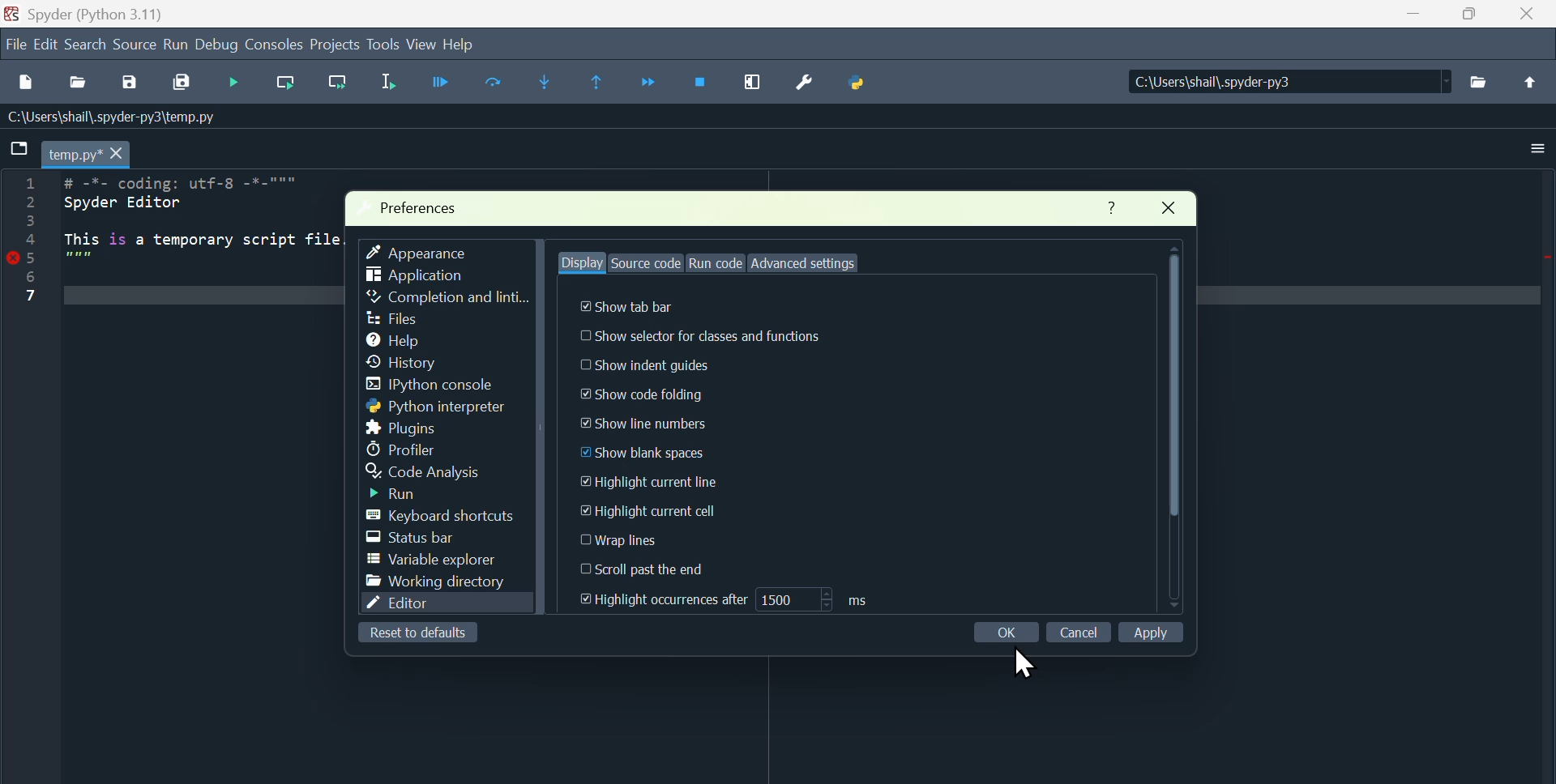 The height and width of the screenshot is (784, 1556). I want to click on Scroller, so click(1174, 432).